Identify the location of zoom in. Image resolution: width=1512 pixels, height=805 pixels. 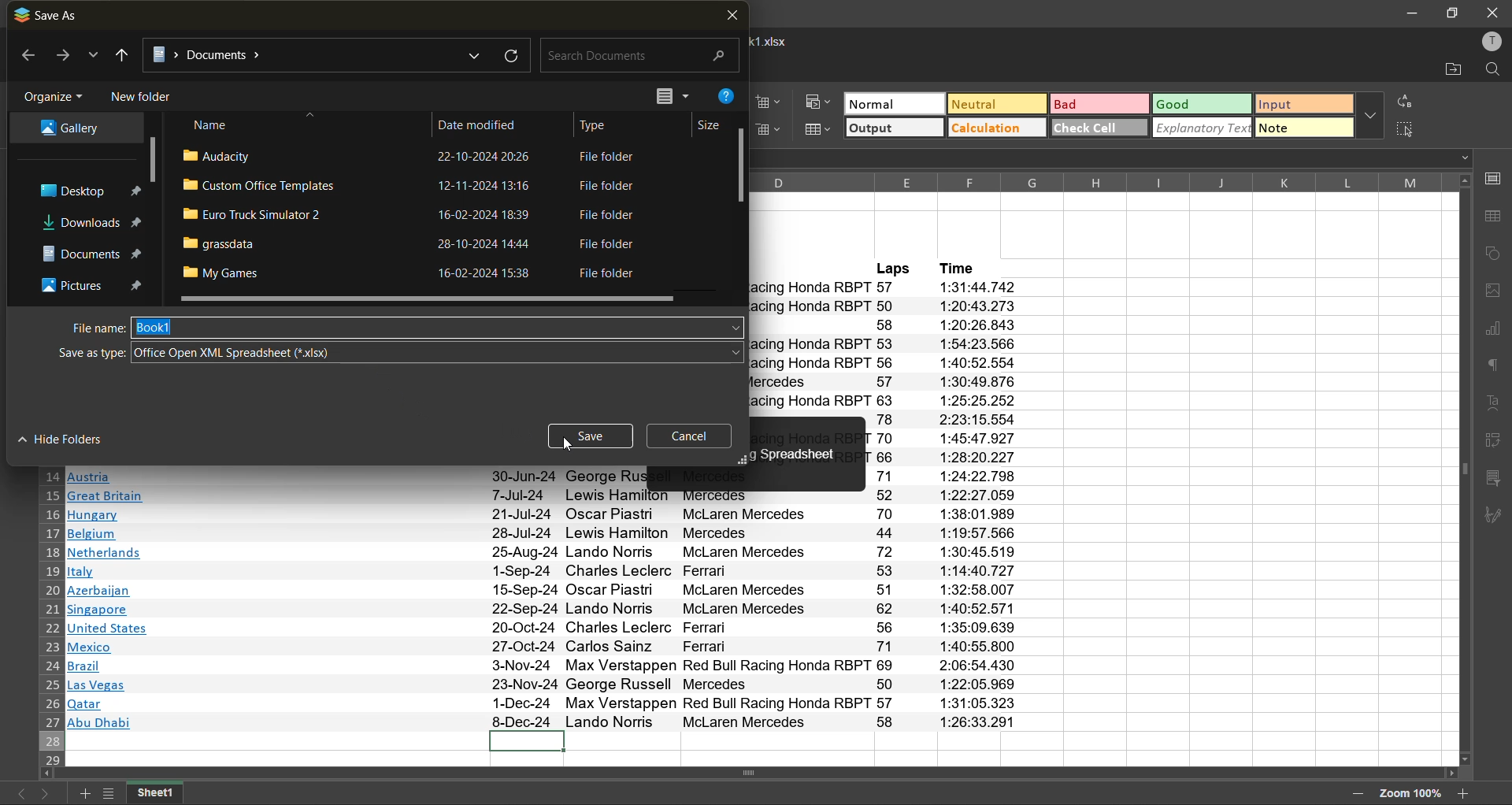
(1463, 793).